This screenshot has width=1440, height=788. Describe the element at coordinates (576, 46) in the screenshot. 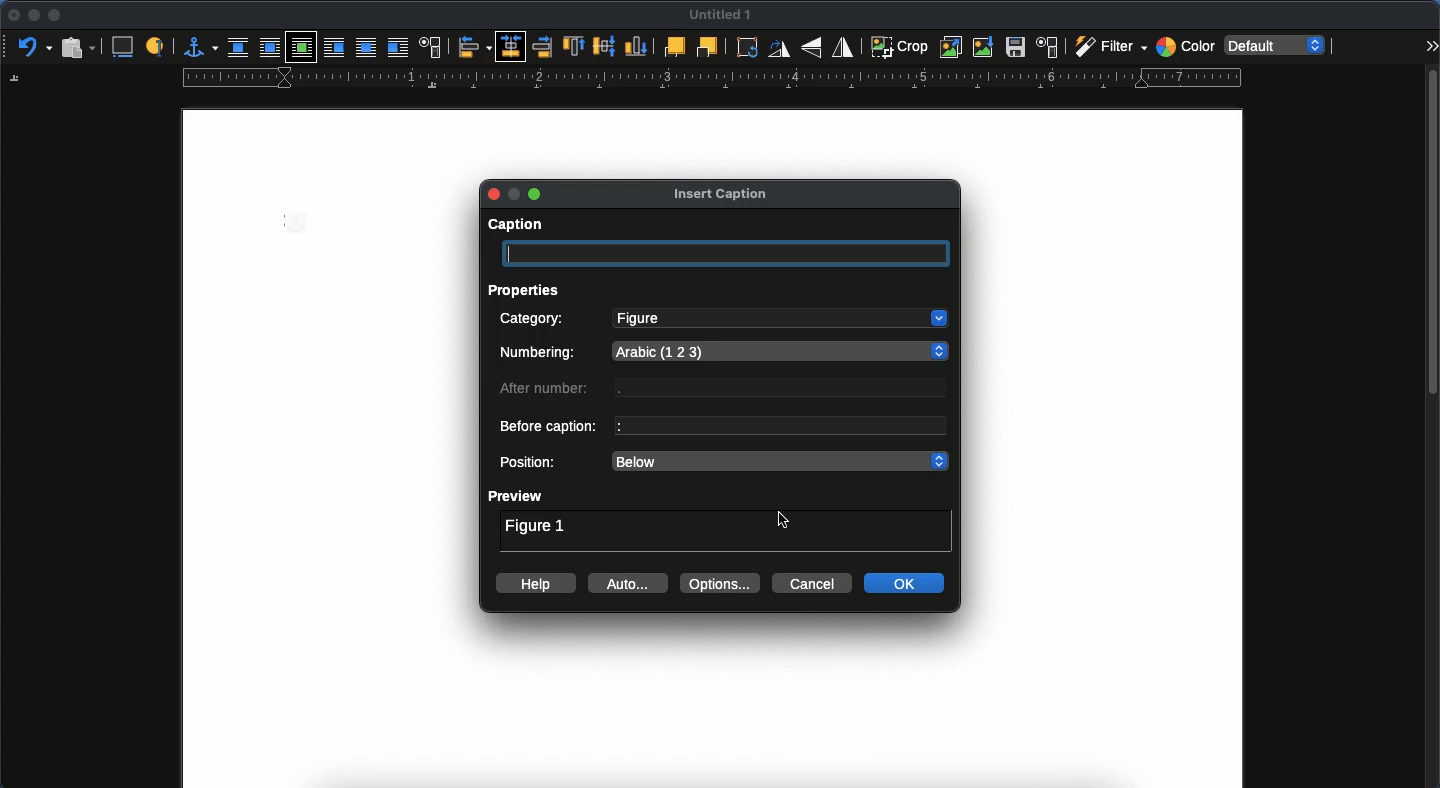

I see `top to anchor ` at that location.